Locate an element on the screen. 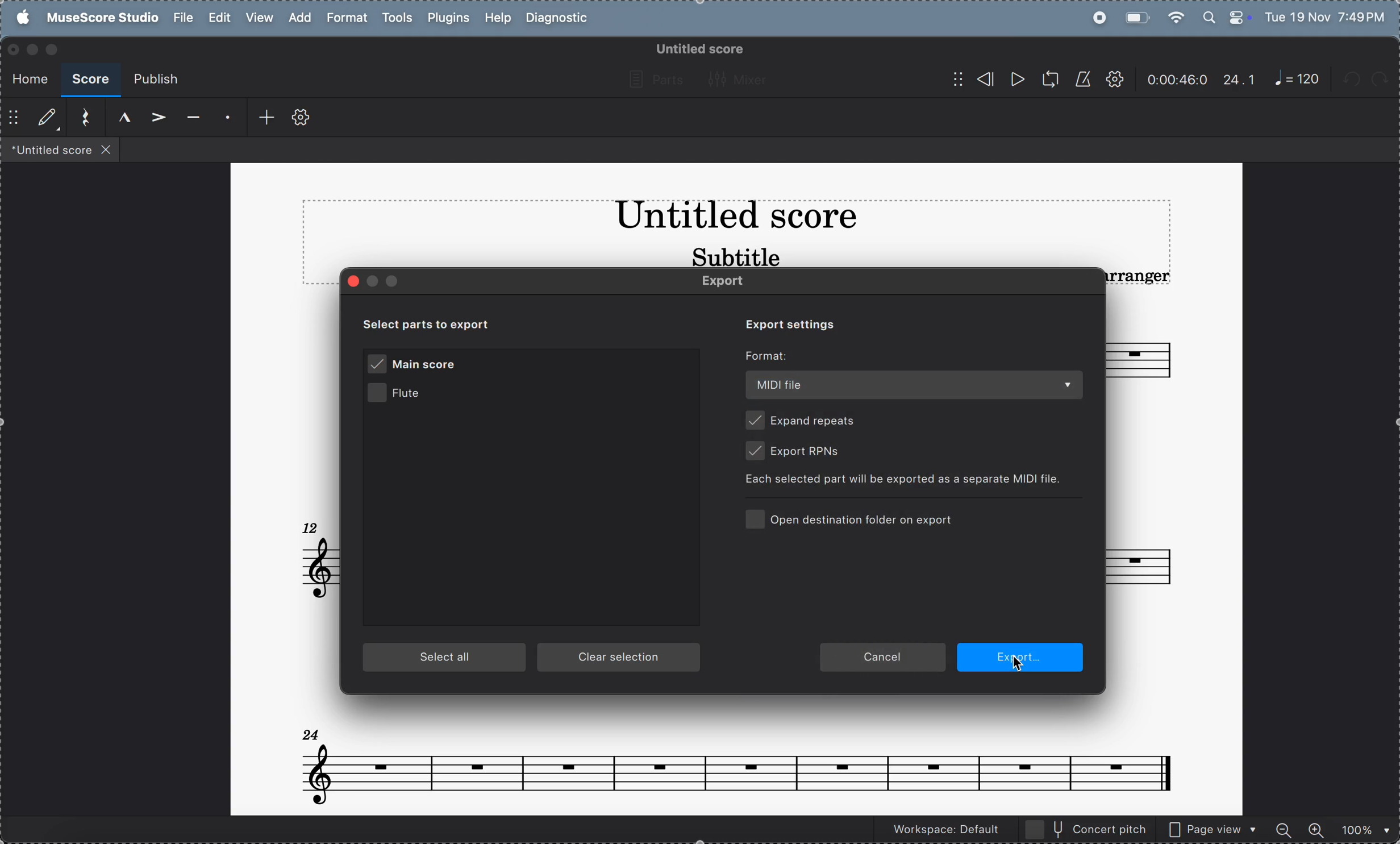  diagnostic is located at coordinates (560, 19).